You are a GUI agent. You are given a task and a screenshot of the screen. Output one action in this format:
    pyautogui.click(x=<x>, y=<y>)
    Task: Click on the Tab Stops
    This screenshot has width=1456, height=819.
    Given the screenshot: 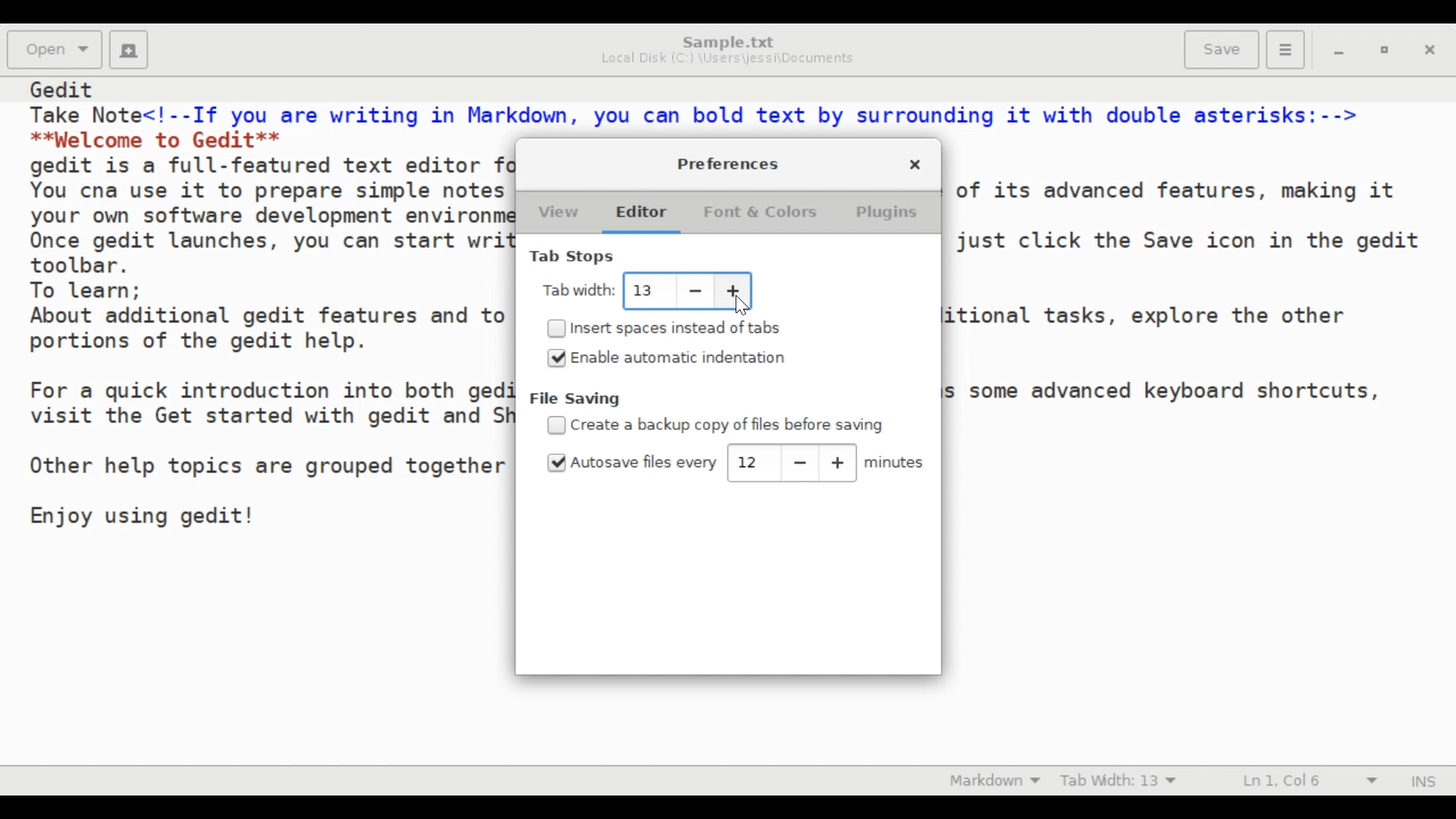 What is the action you would take?
    pyautogui.click(x=570, y=257)
    